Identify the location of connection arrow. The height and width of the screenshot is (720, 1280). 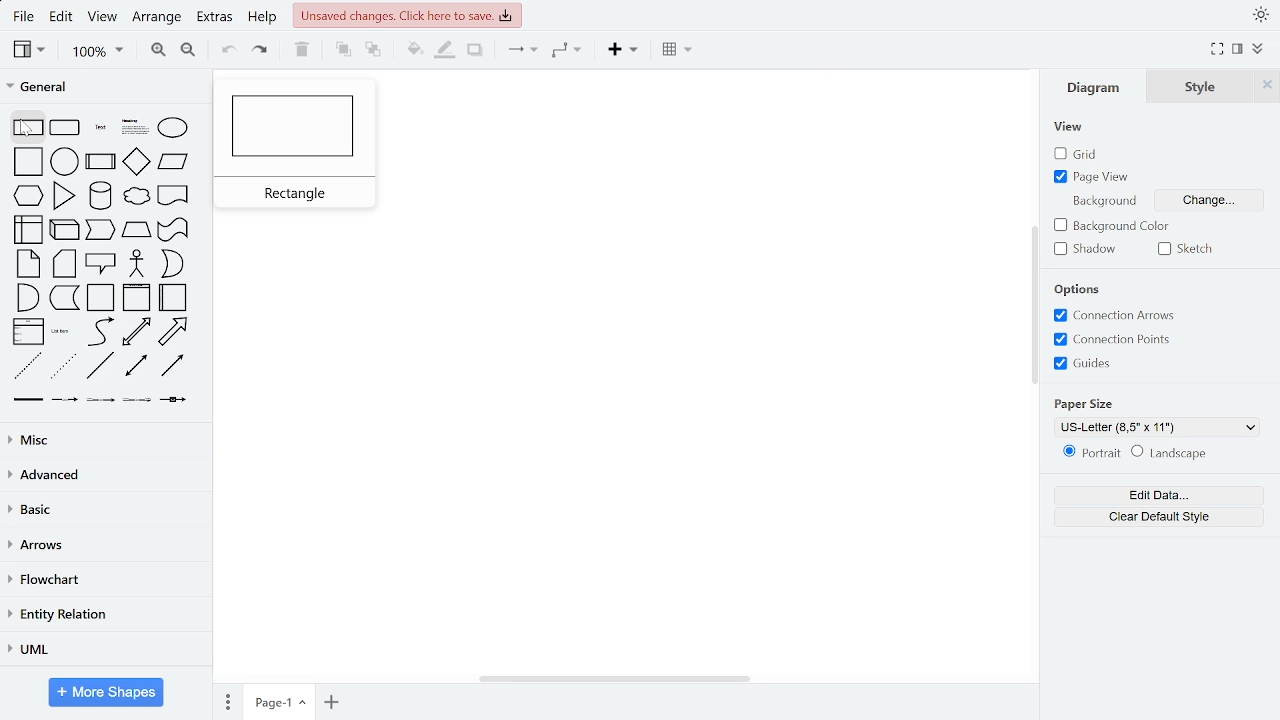
(1113, 315).